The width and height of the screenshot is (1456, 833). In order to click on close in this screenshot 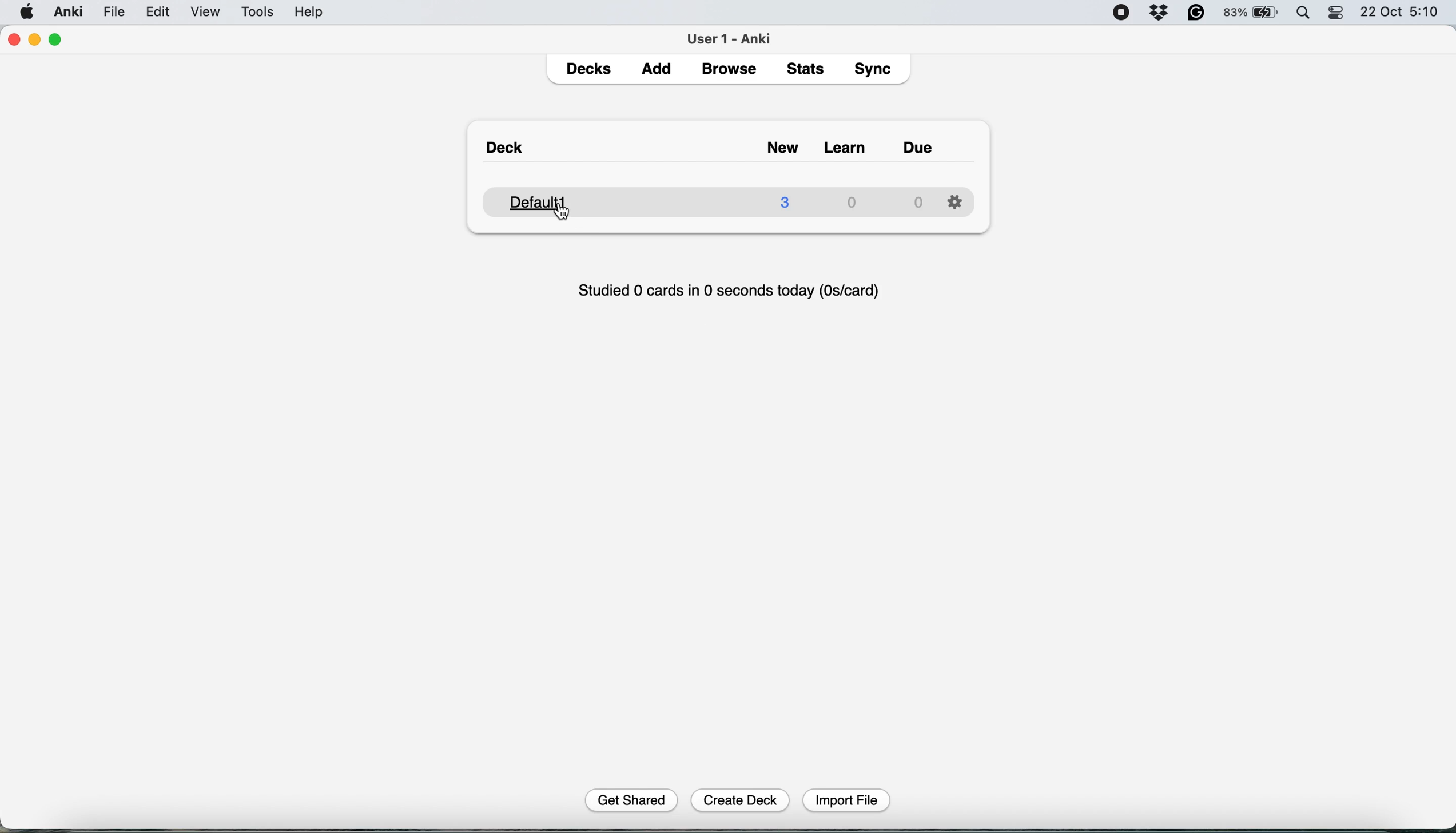, I will do `click(13, 40)`.